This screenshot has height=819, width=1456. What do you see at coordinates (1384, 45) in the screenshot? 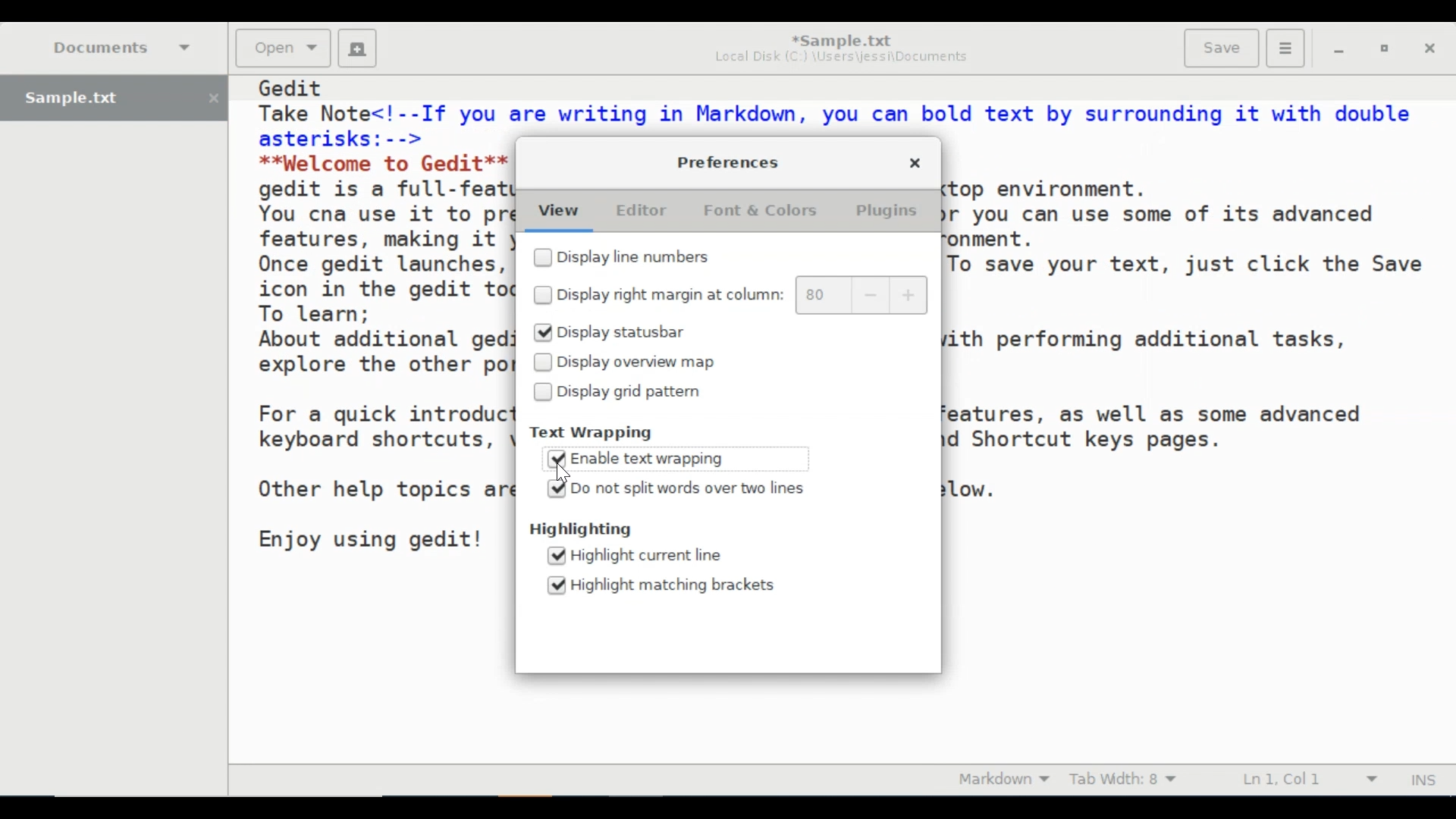
I see `Restore` at bounding box center [1384, 45].